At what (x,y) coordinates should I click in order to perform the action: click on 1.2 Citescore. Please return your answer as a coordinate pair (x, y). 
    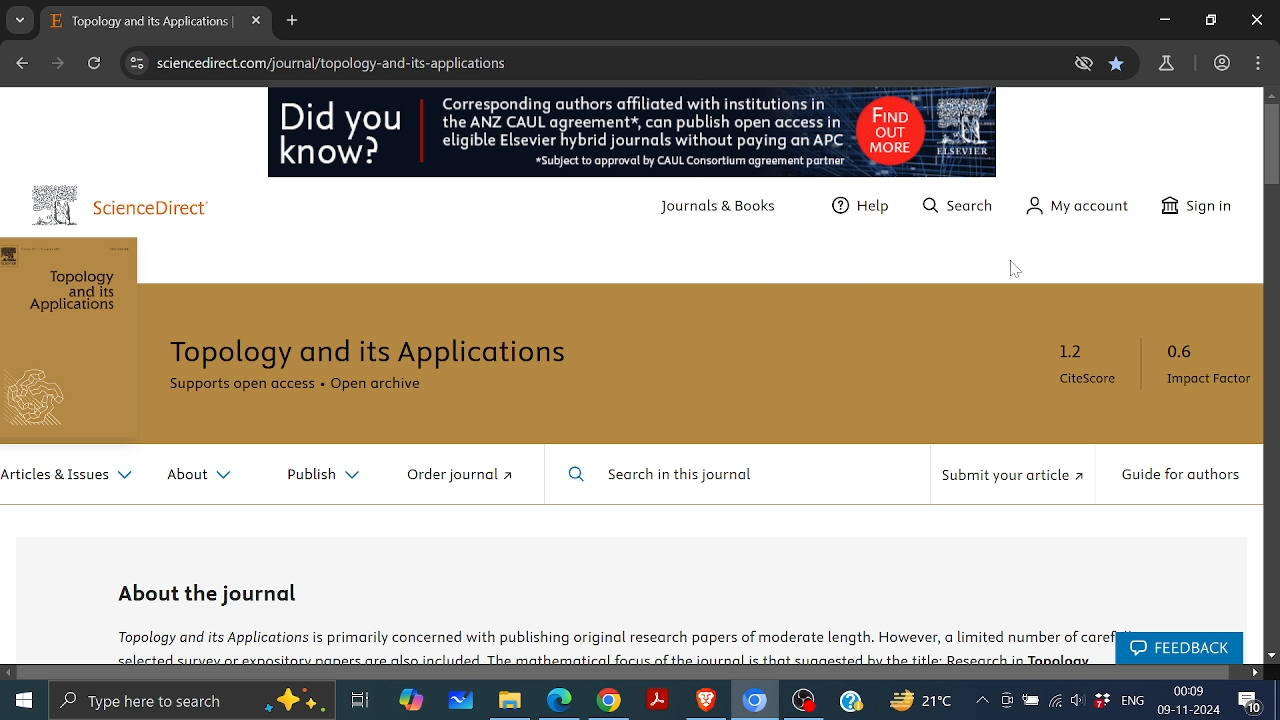
    Looking at the image, I should click on (1091, 369).